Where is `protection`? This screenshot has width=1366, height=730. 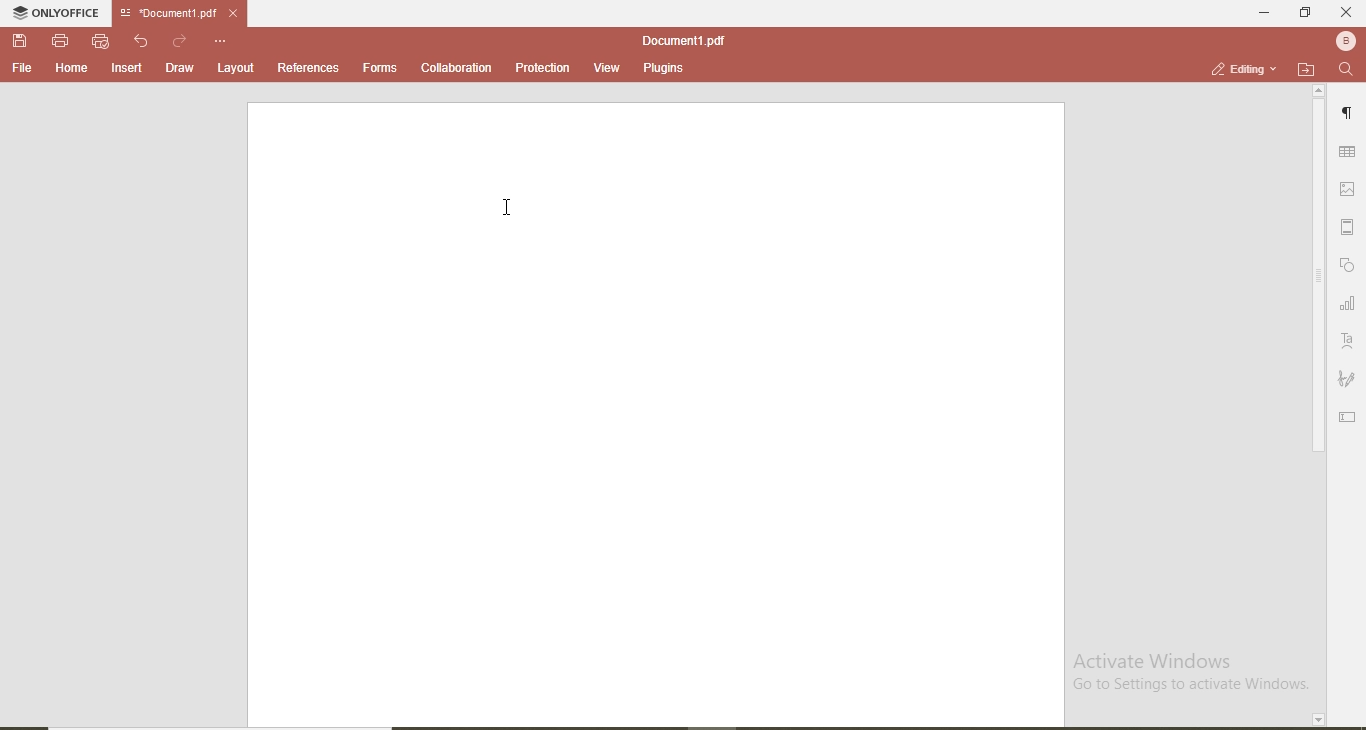 protection is located at coordinates (543, 68).